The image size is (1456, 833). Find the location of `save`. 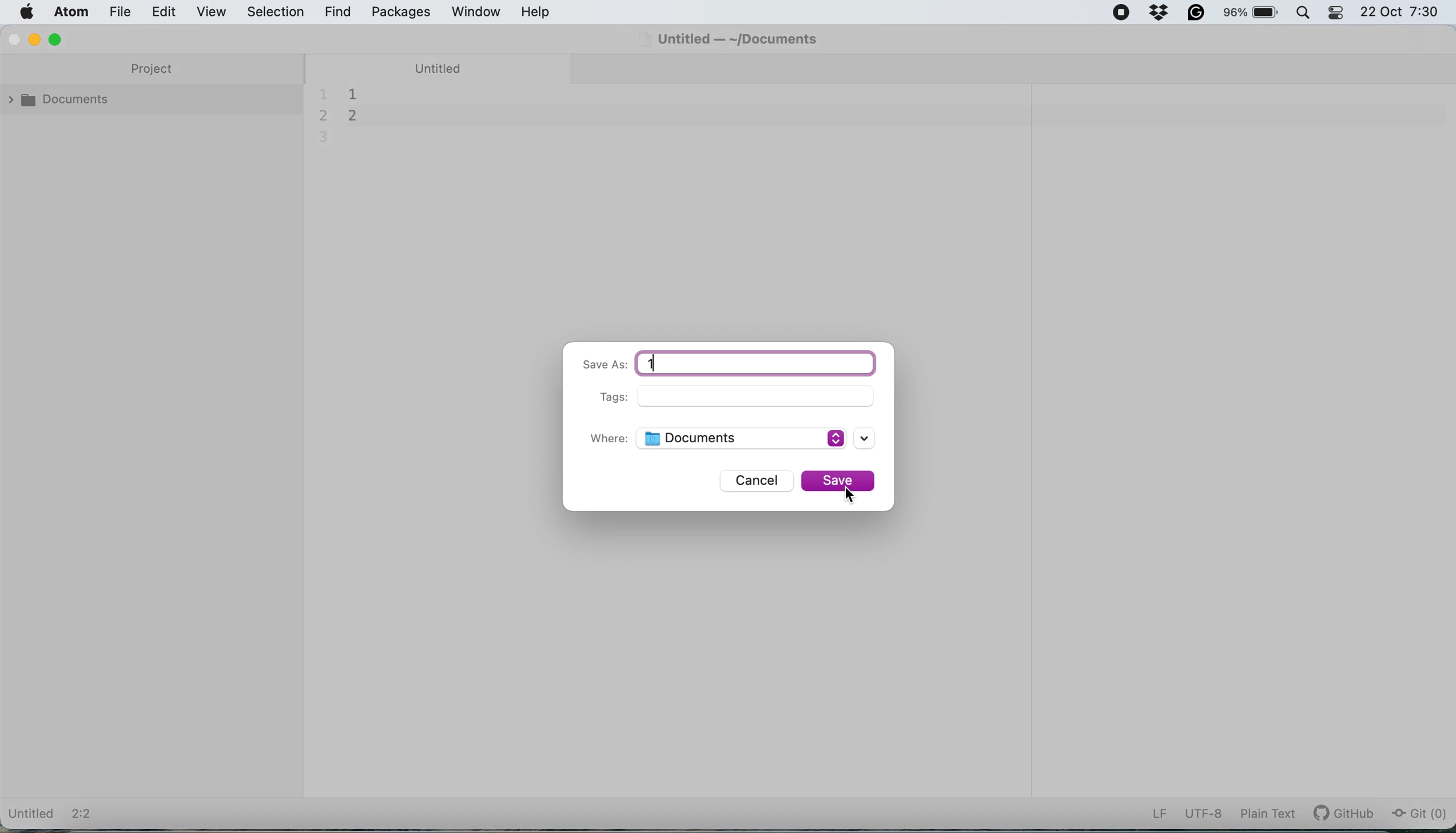

save is located at coordinates (840, 481).